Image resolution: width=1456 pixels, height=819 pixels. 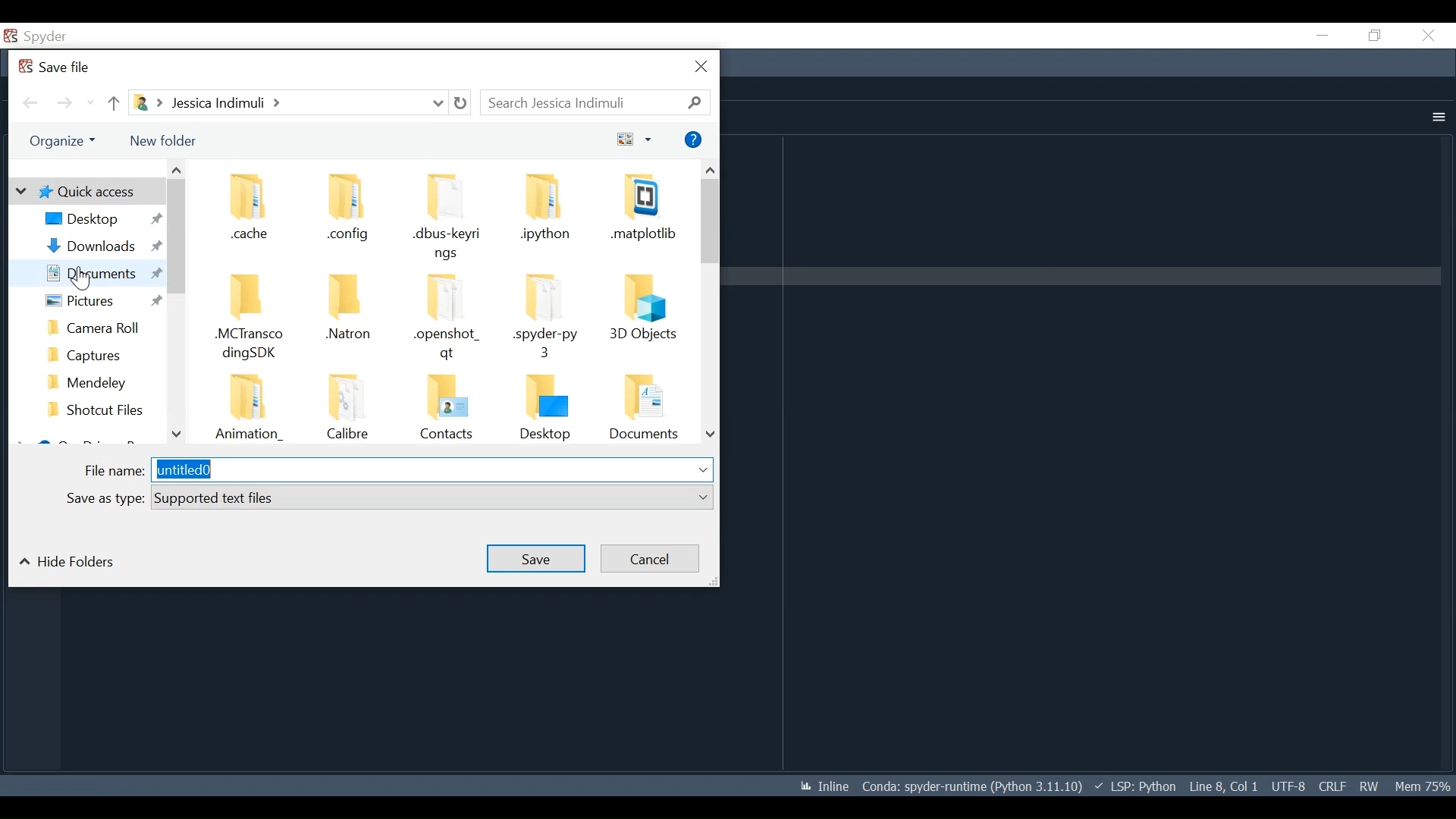 What do you see at coordinates (650, 559) in the screenshot?
I see `Cancel` at bounding box center [650, 559].